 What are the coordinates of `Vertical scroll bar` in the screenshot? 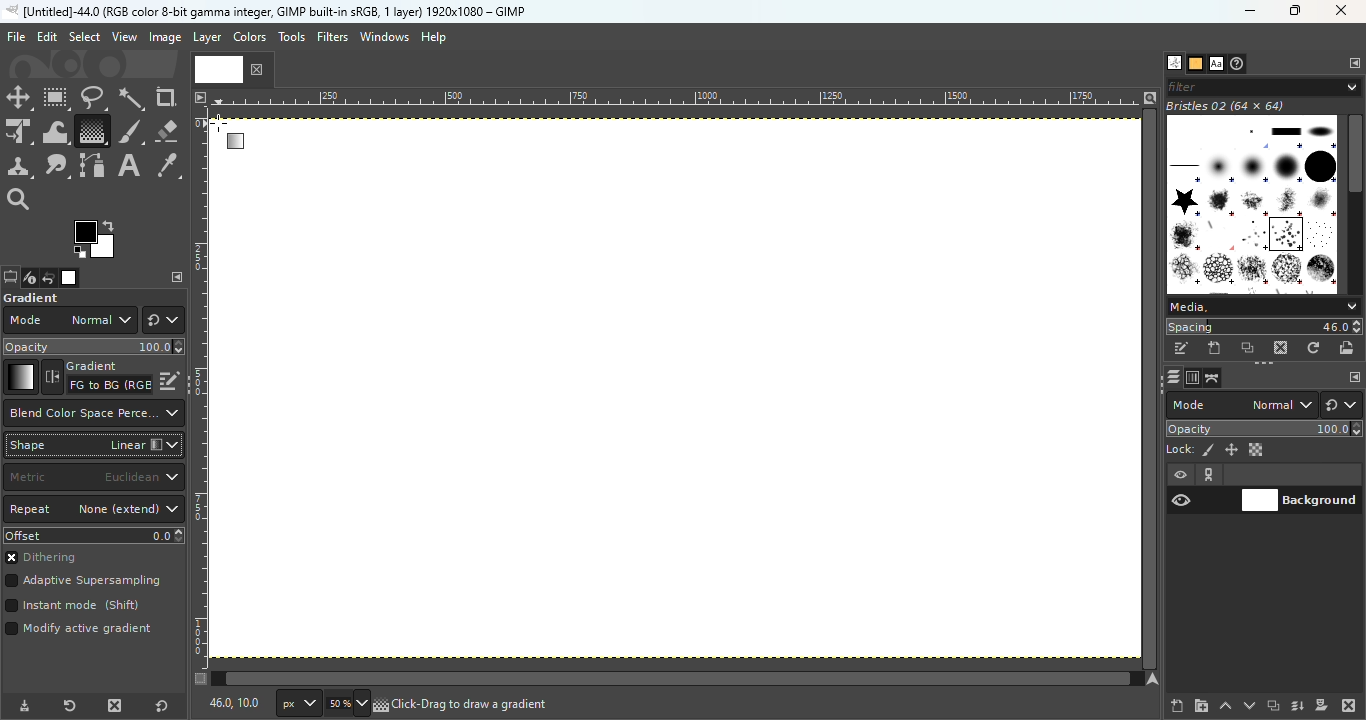 It's located at (667, 679).